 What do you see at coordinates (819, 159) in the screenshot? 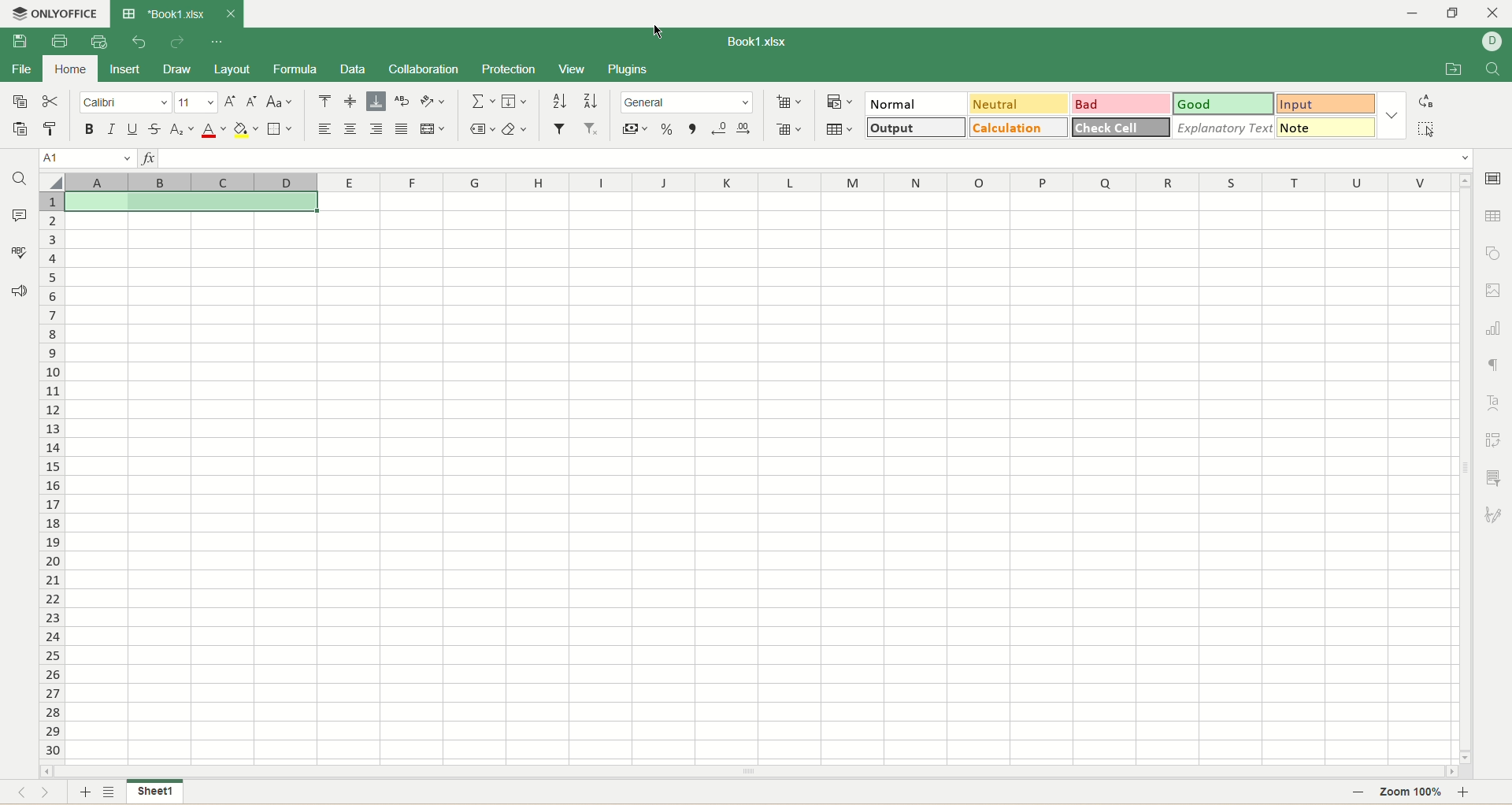
I see `input line` at bounding box center [819, 159].